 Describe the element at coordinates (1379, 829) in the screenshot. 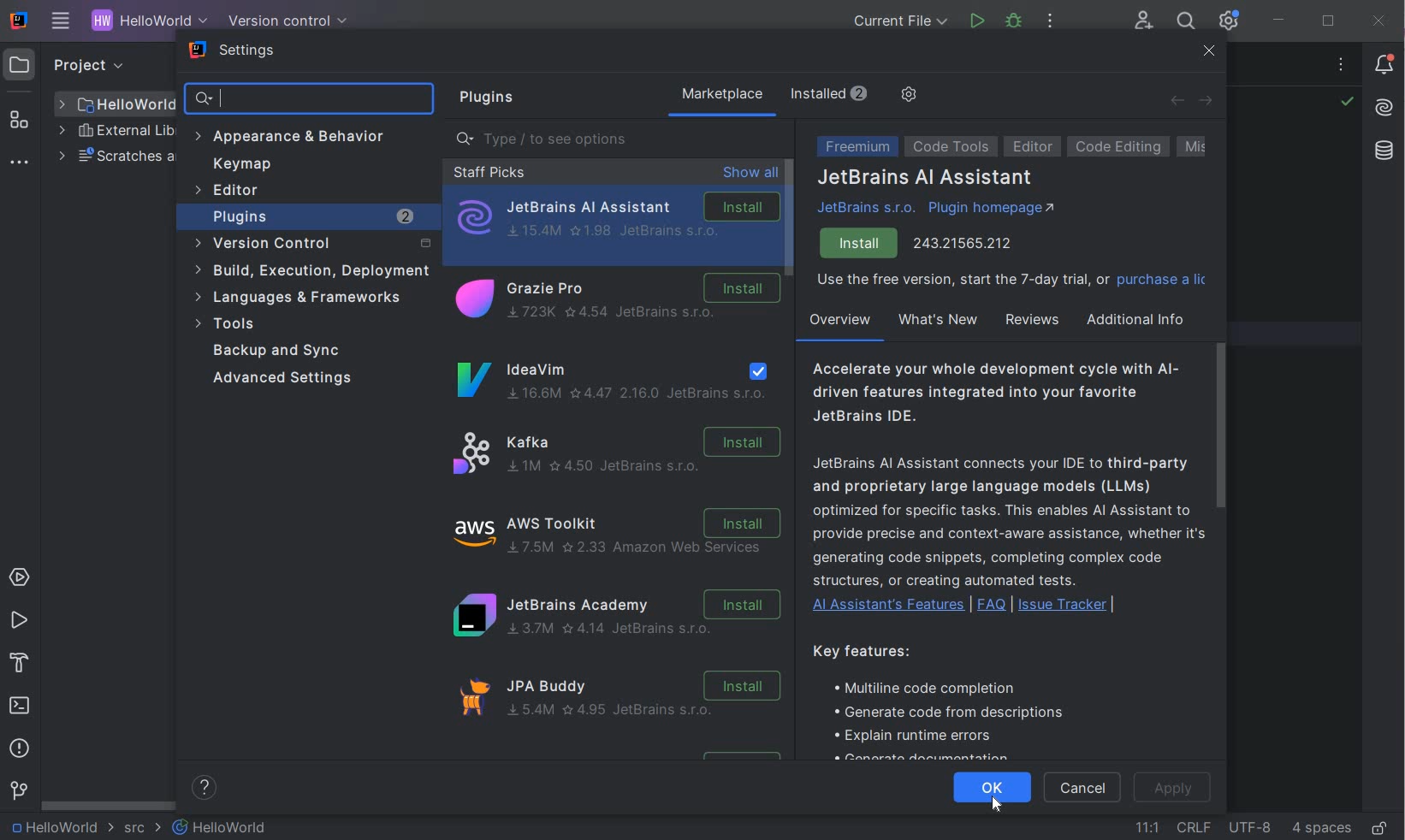

I see `MAKE FILE READY ONLY` at that location.